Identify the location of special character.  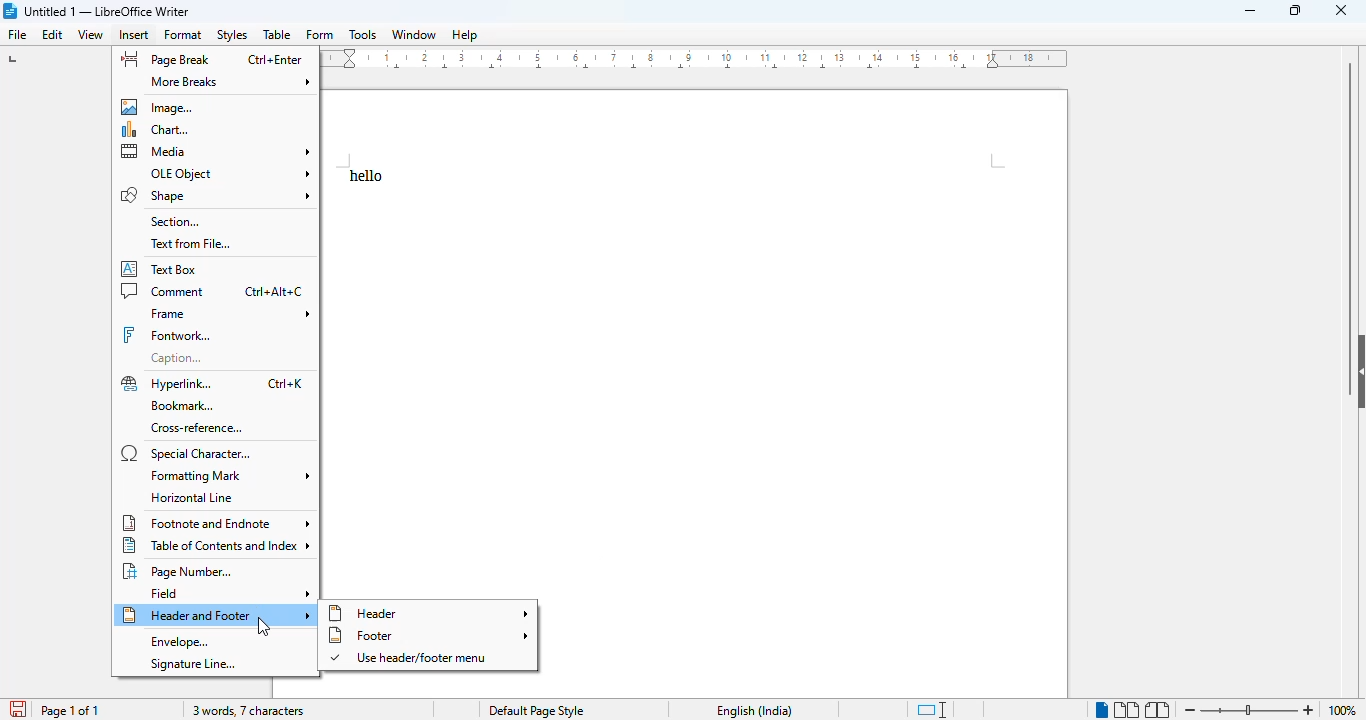
(188, 453).